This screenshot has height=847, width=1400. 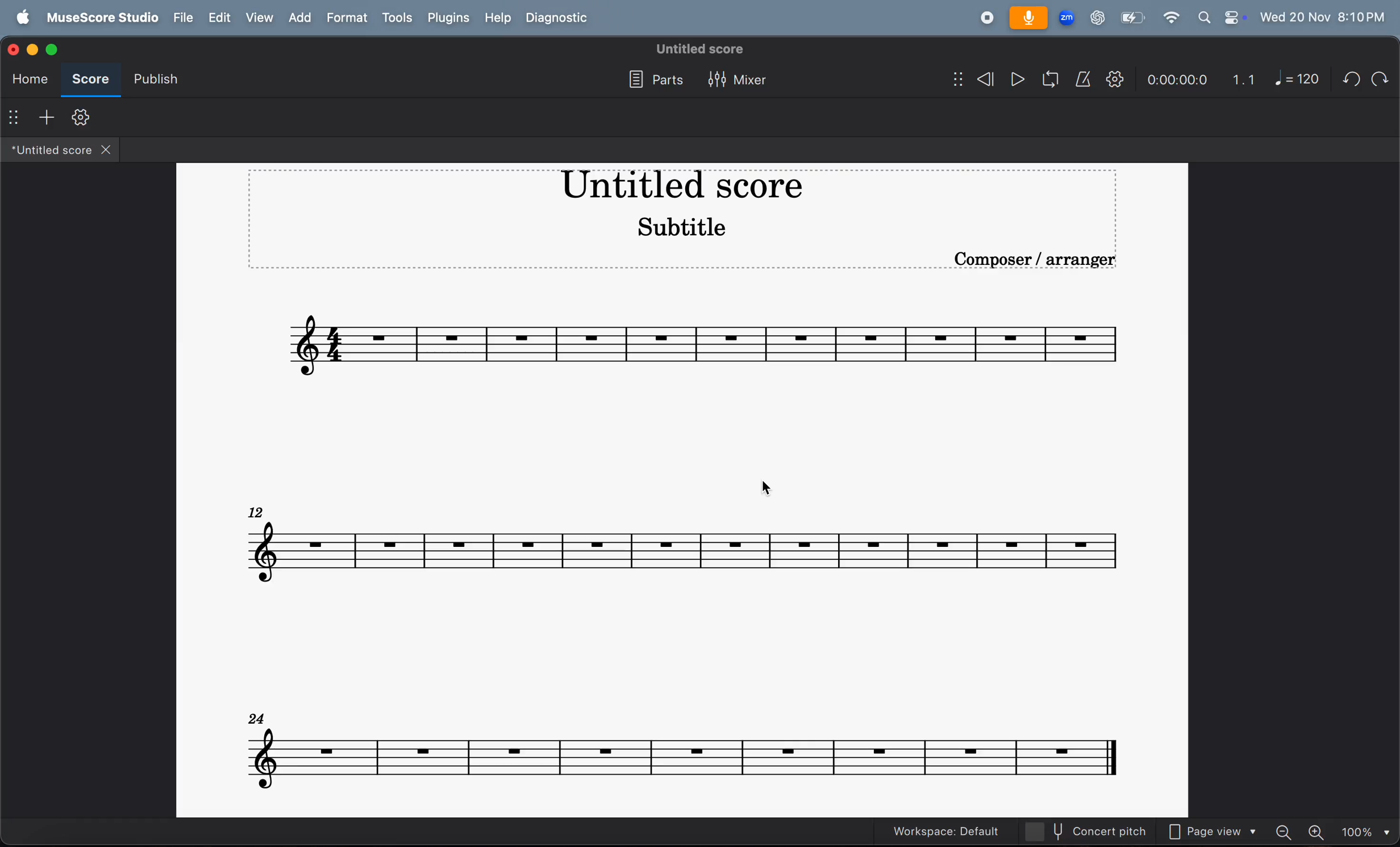 I want to click on redo, so click(x=1377, y=77).